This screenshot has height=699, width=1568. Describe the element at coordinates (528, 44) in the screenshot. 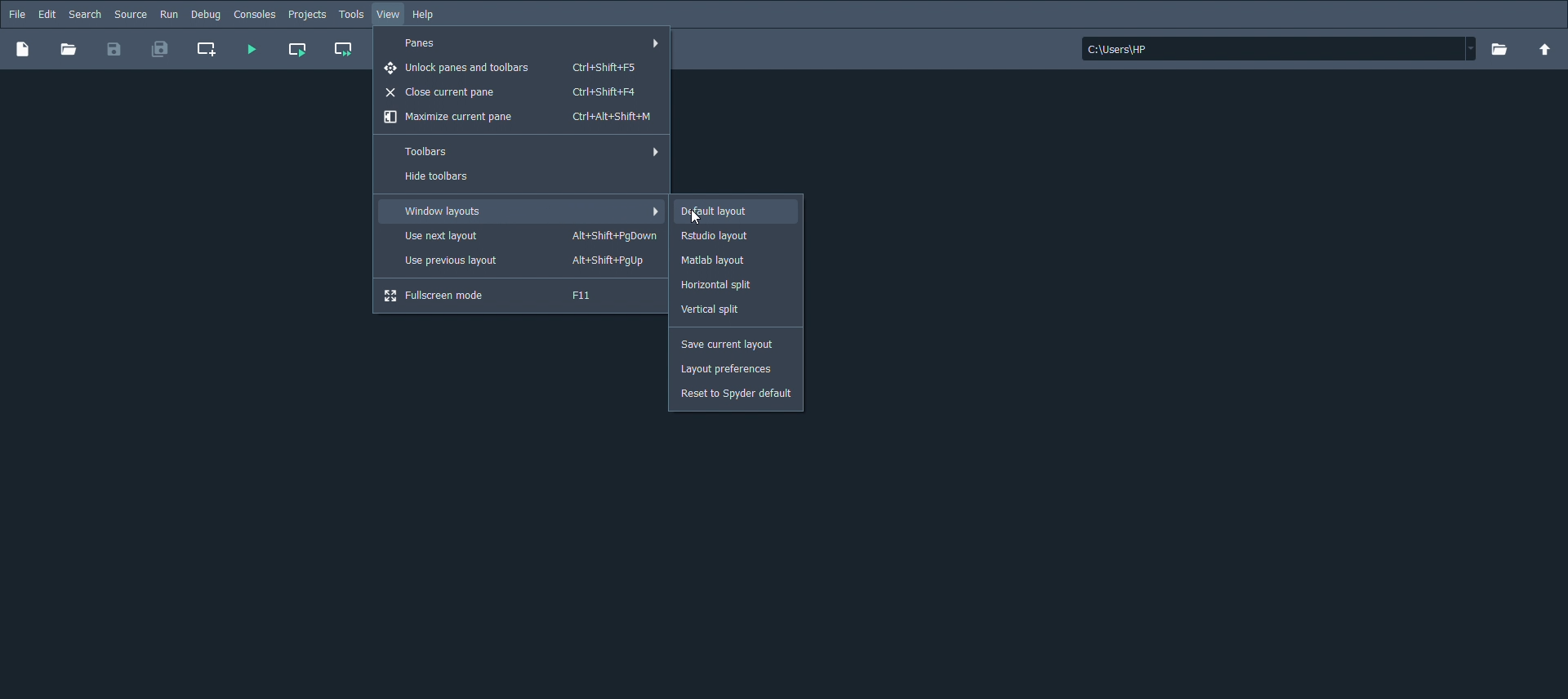

I see `Panes` at that location.